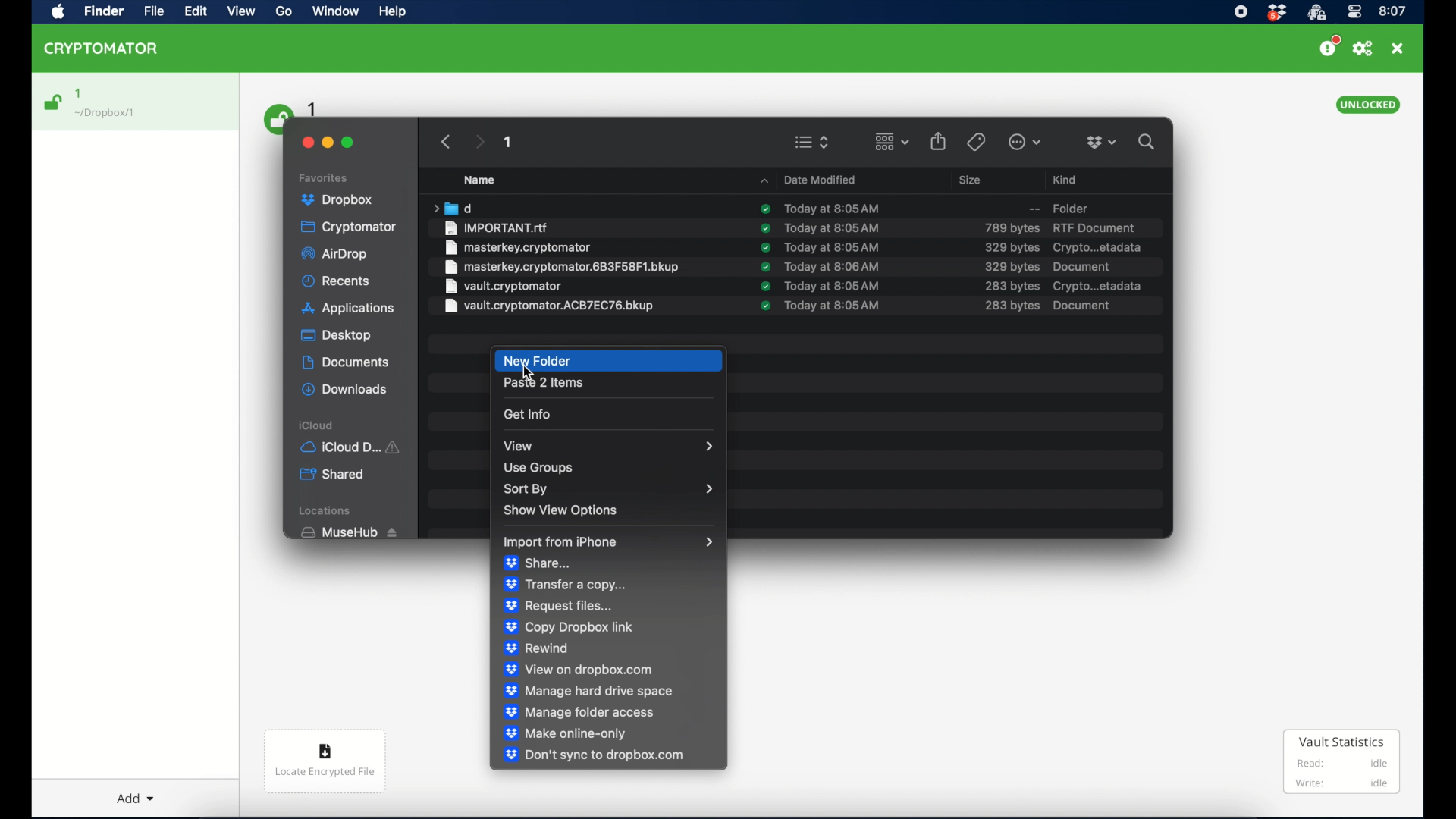  Describe the element at coordinates (353, 446) in the screenshot. I see `iCloud` at that location.